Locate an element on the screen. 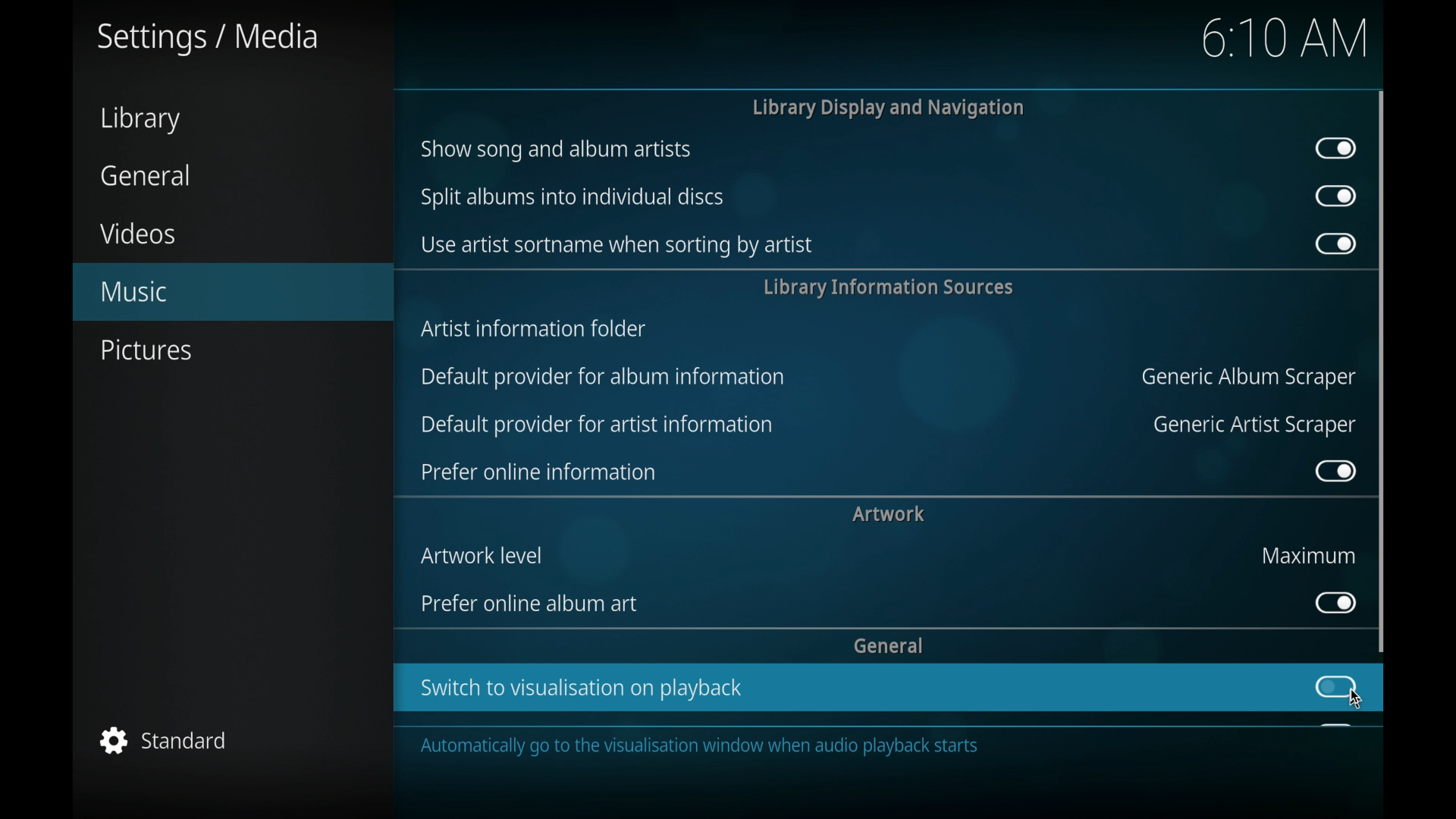 The width and height of the screenshot is (1456, 819). toggle button is located at coordinates (1336, 687).